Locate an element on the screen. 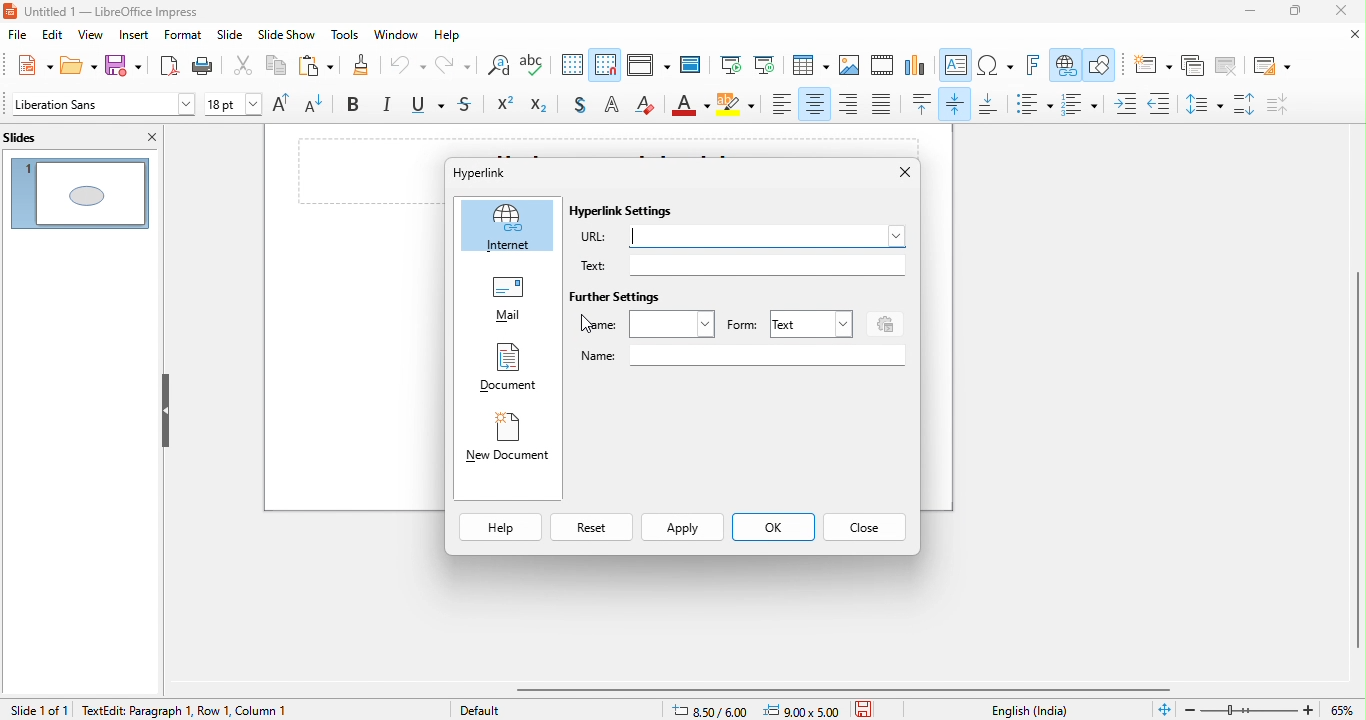 This screenshot has width=1366, height=720. font color is located at coordinates (691, 107).